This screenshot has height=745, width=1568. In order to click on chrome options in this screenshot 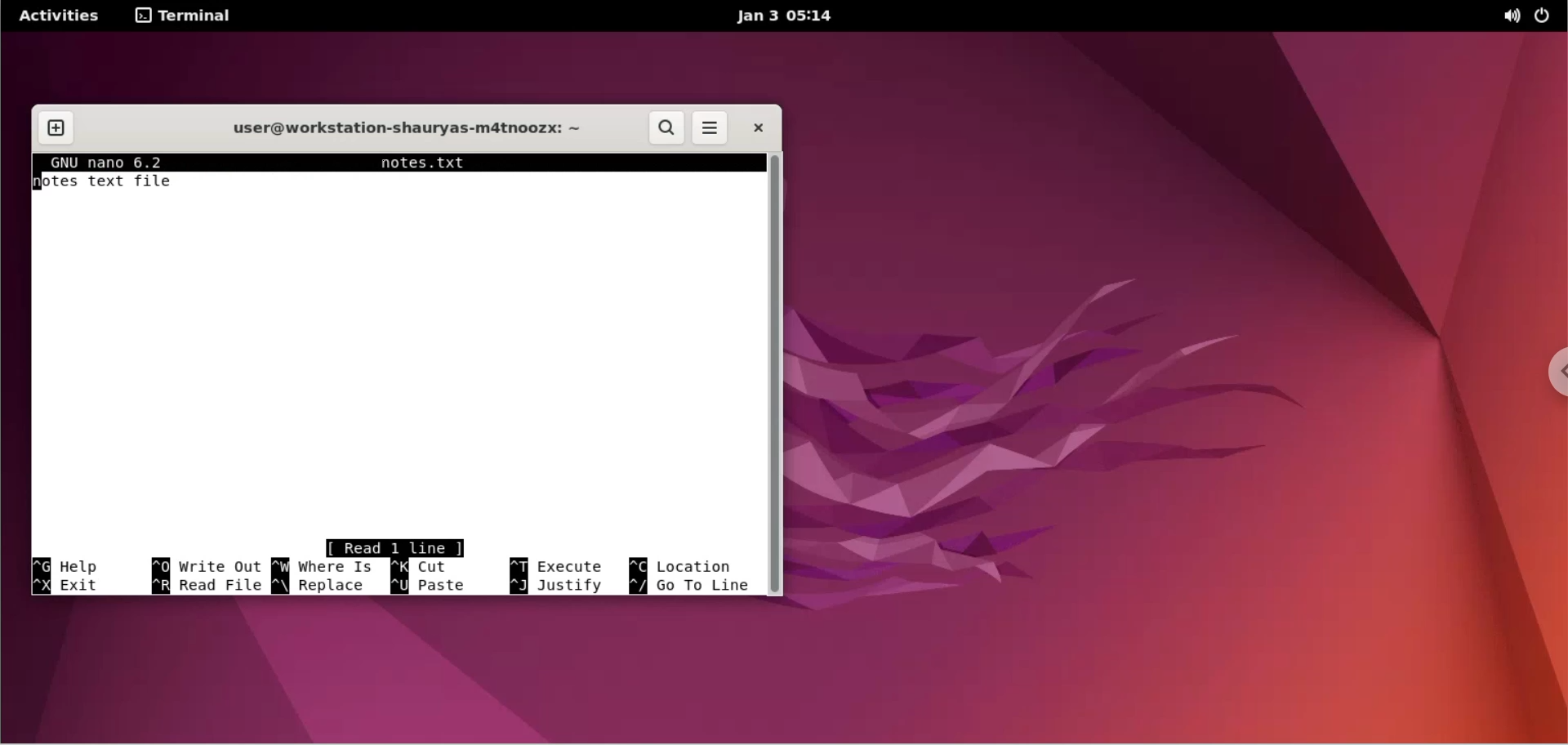, I will do `click(1544, 372)`.